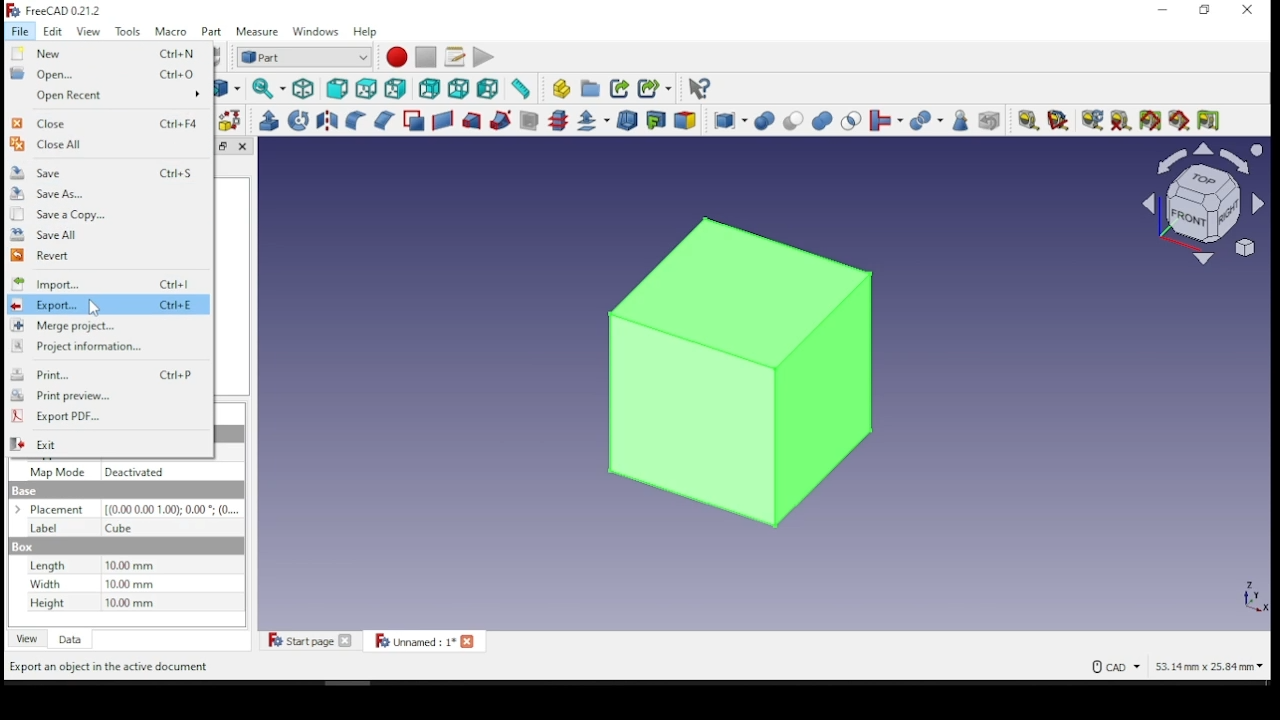 This screenshot has width=1280, height=720. Describe the element at coordinates (1248, 10) in the screenshot. I see `close window` at that location.